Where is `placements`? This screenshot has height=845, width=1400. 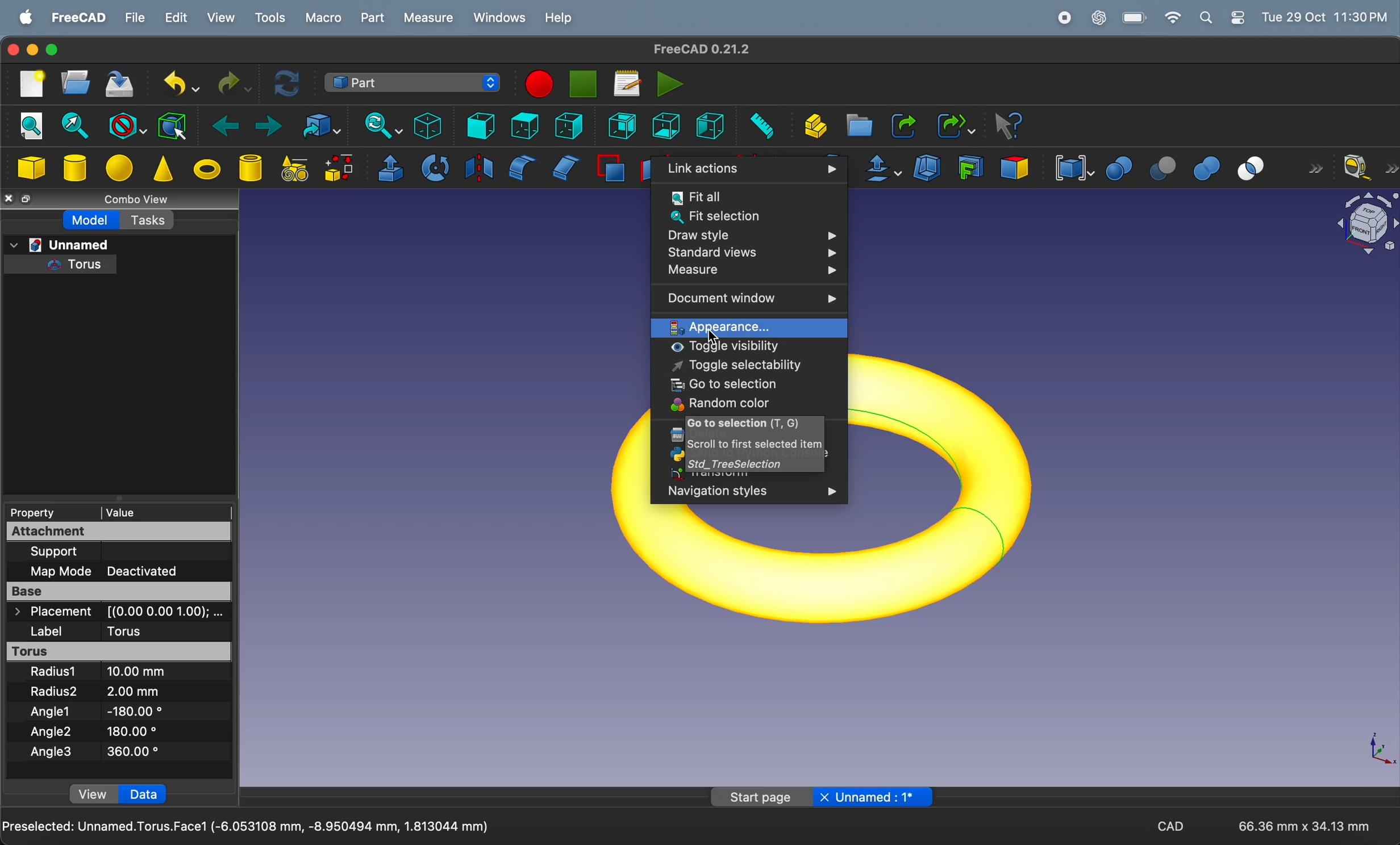 placements is located at coordinates (118, 612).